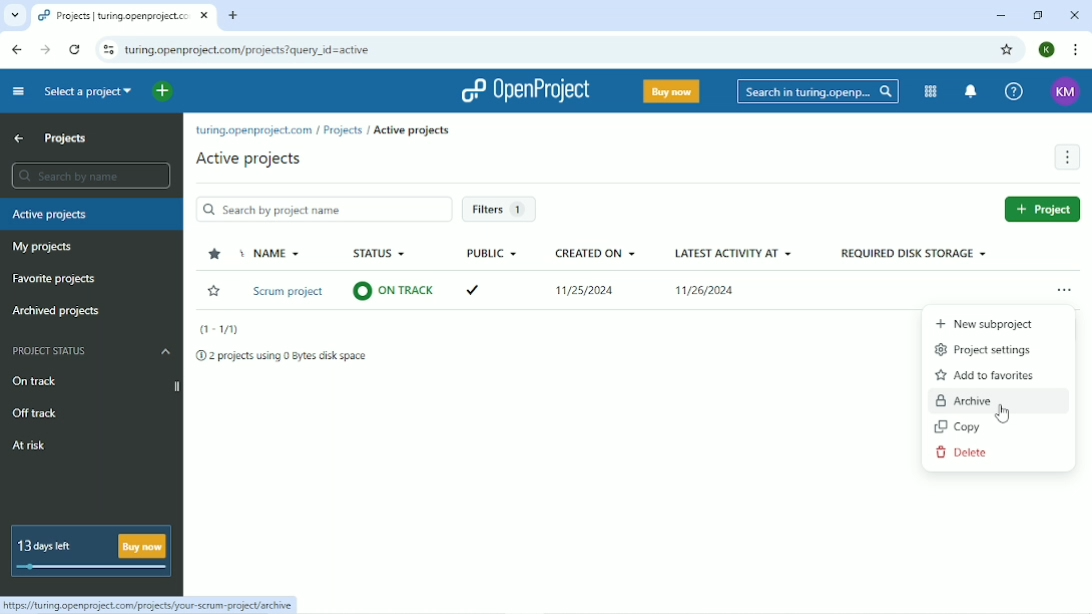  What do you see at coordinates (75, 51) in the screenshot?
I see `Reload this page` at bounding box center [75, 51].